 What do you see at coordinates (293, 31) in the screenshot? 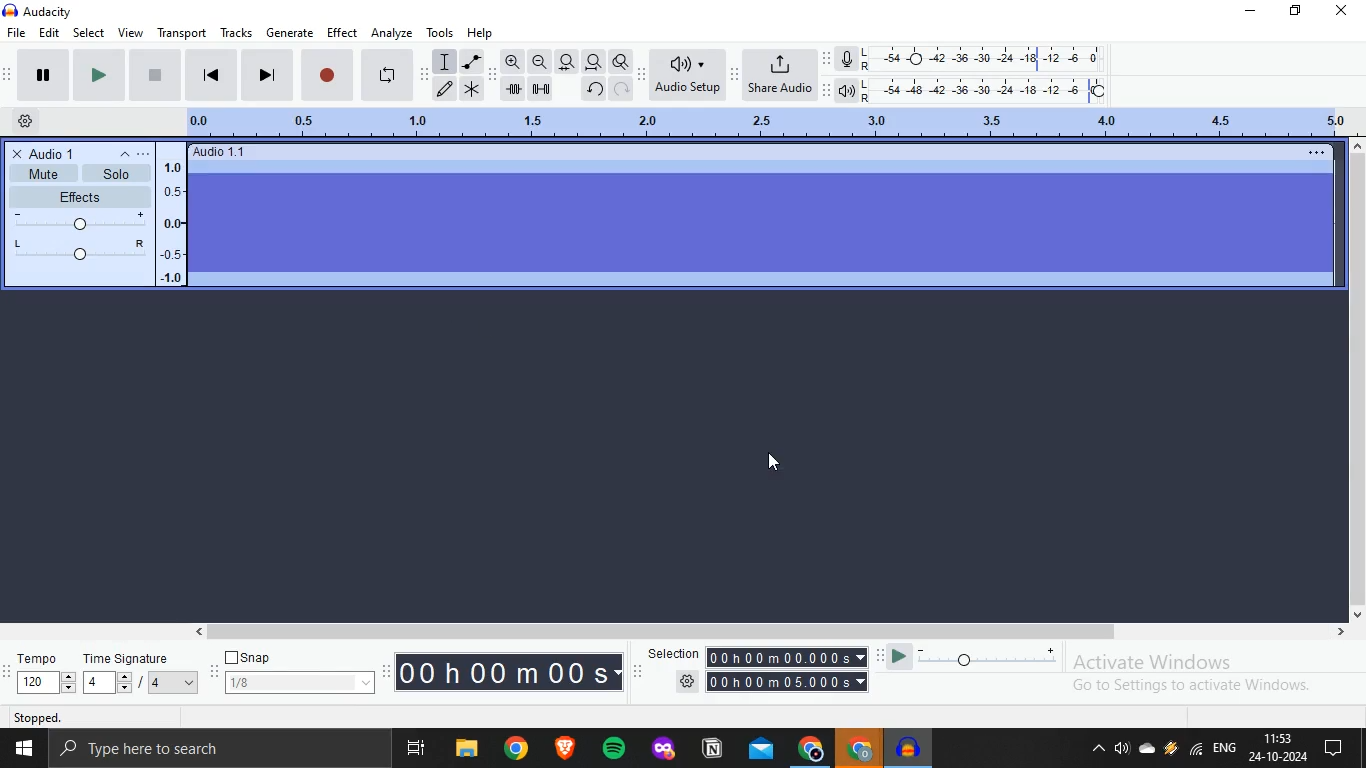
I see `Generate` at bounding box center [293, 31].